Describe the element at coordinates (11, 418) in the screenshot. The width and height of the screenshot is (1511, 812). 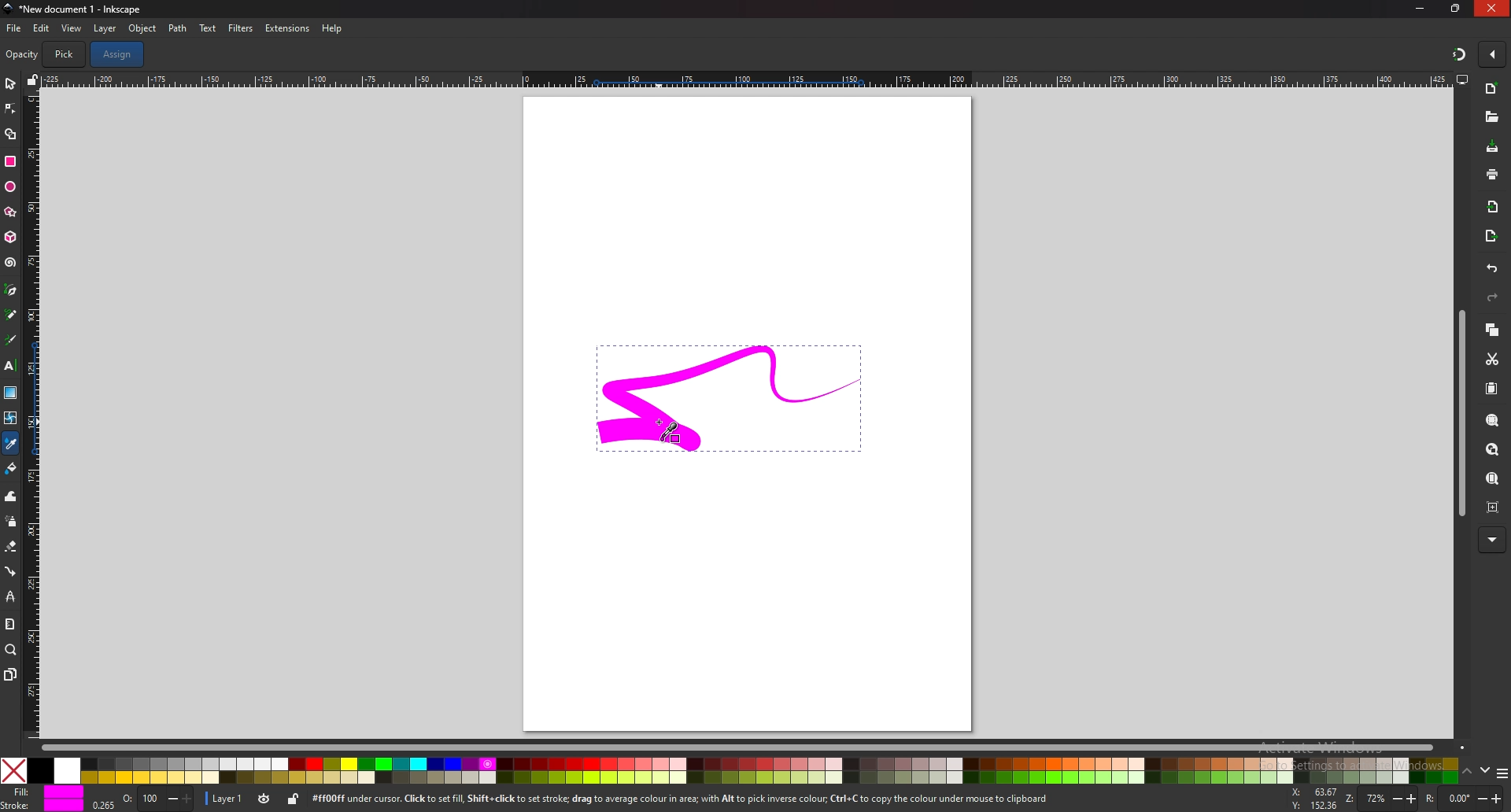
I see `mesh` at that location.